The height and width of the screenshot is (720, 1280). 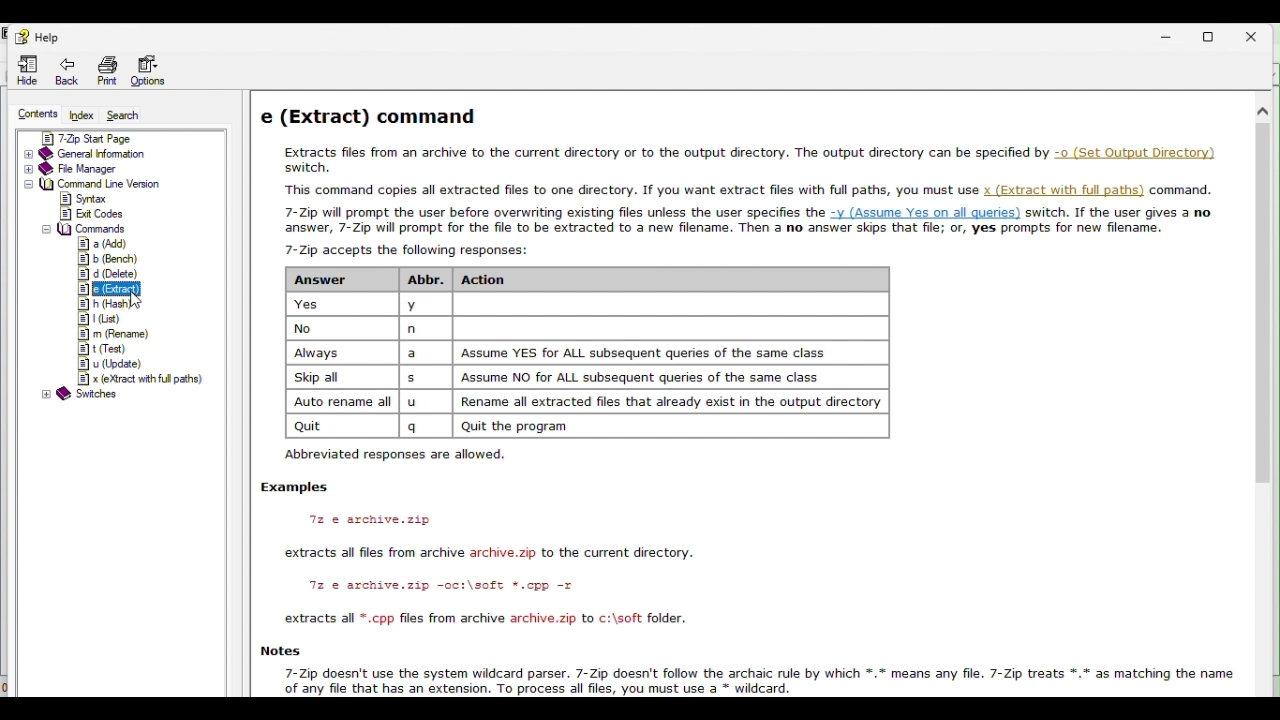 I want to click on t( test), so click(x=103, y=348).